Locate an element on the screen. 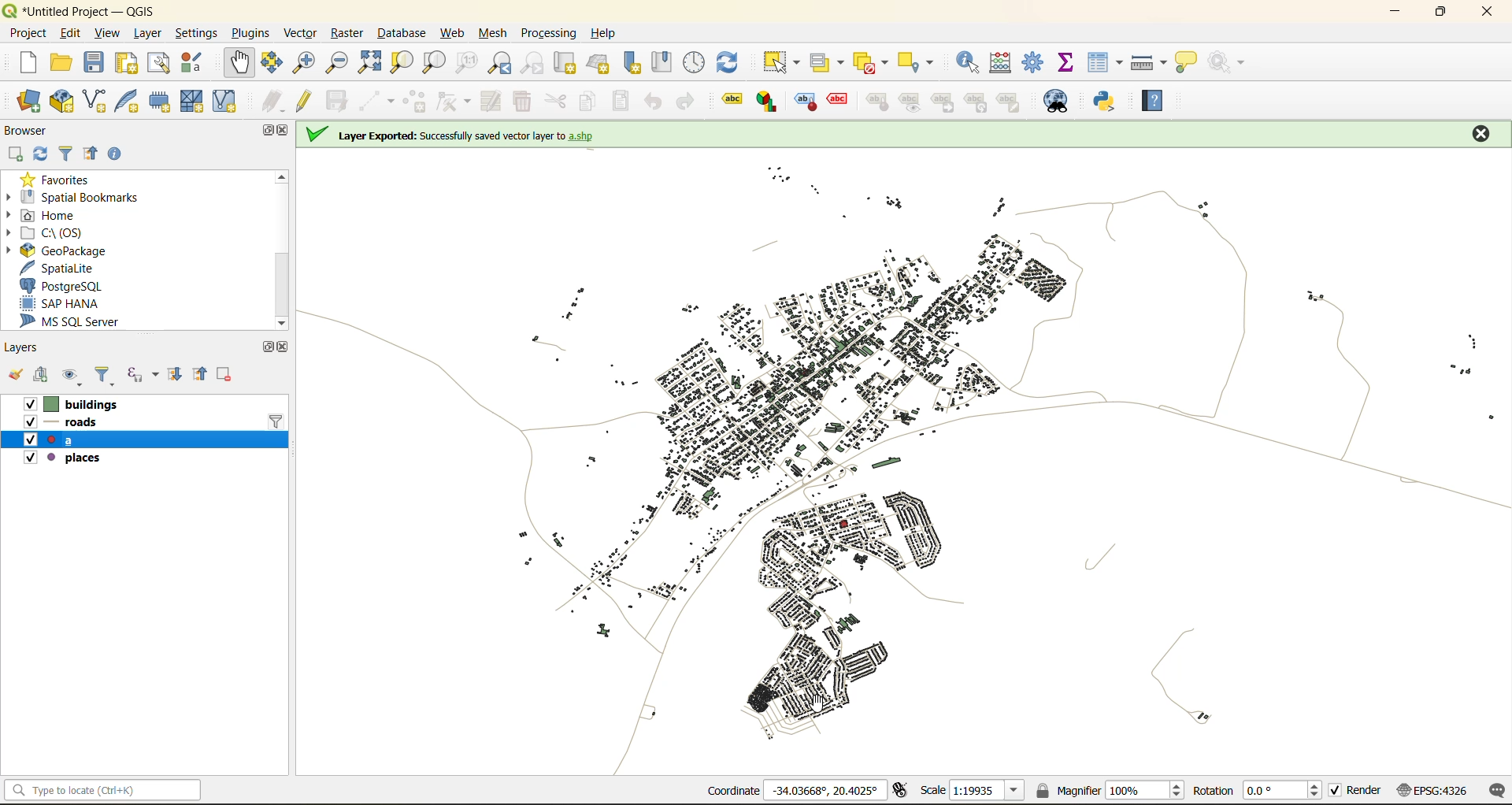 This screenshot has width=1512, height=805. scale is located at coordinates (973, 792).